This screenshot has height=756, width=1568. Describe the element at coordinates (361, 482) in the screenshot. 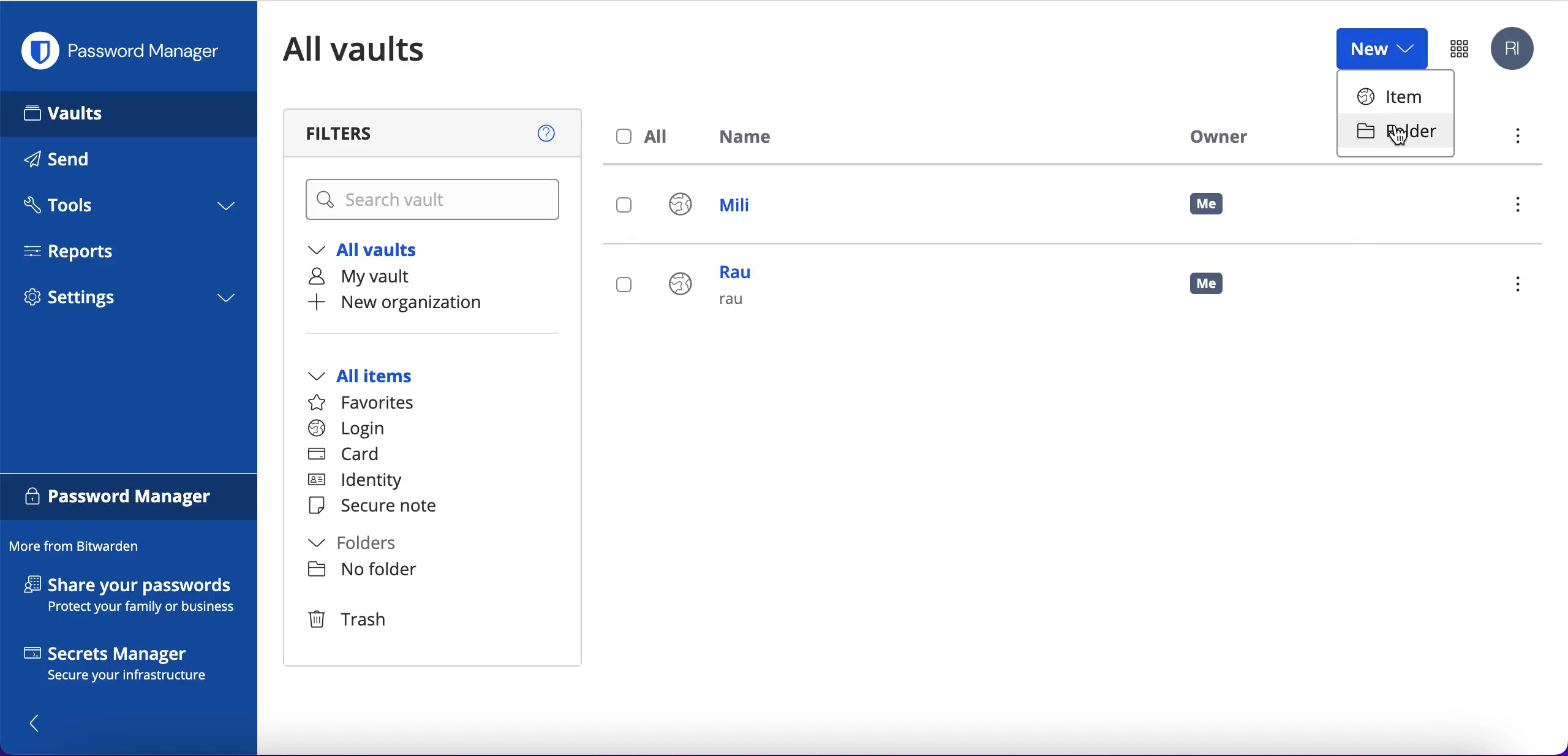

I see `identity` at that location.